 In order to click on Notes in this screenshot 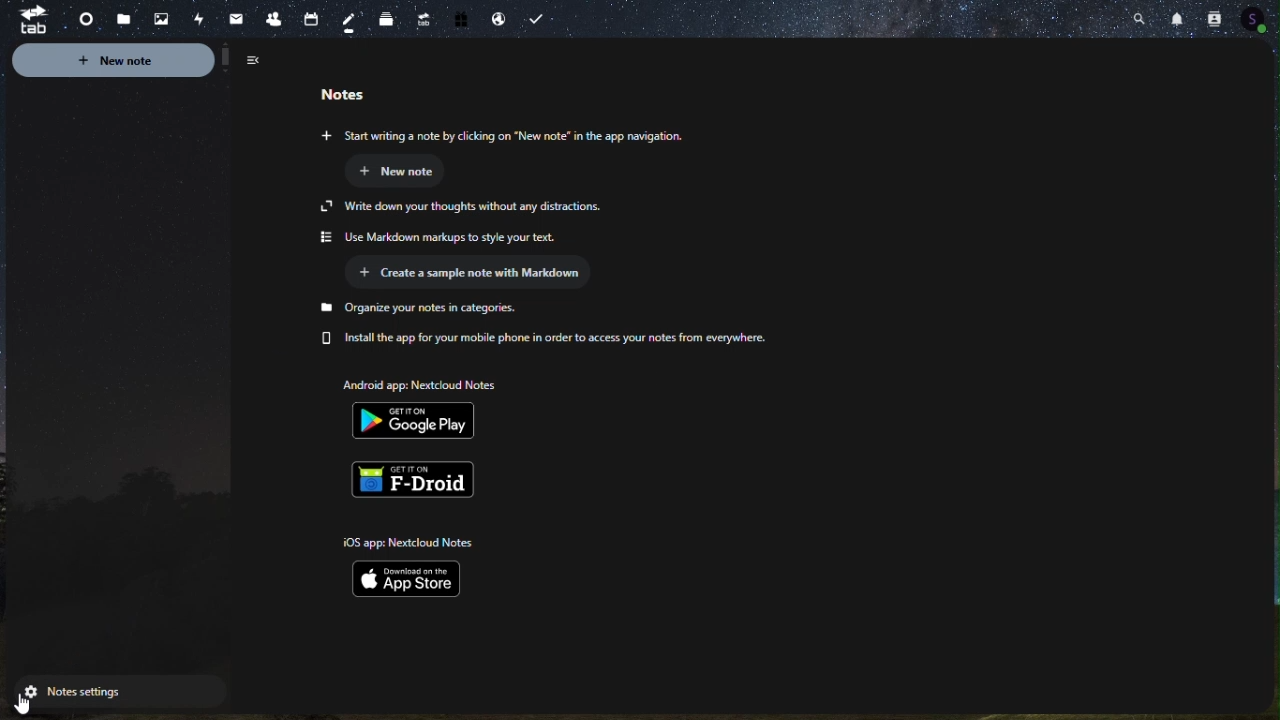, I will do `click(362, 91)`.